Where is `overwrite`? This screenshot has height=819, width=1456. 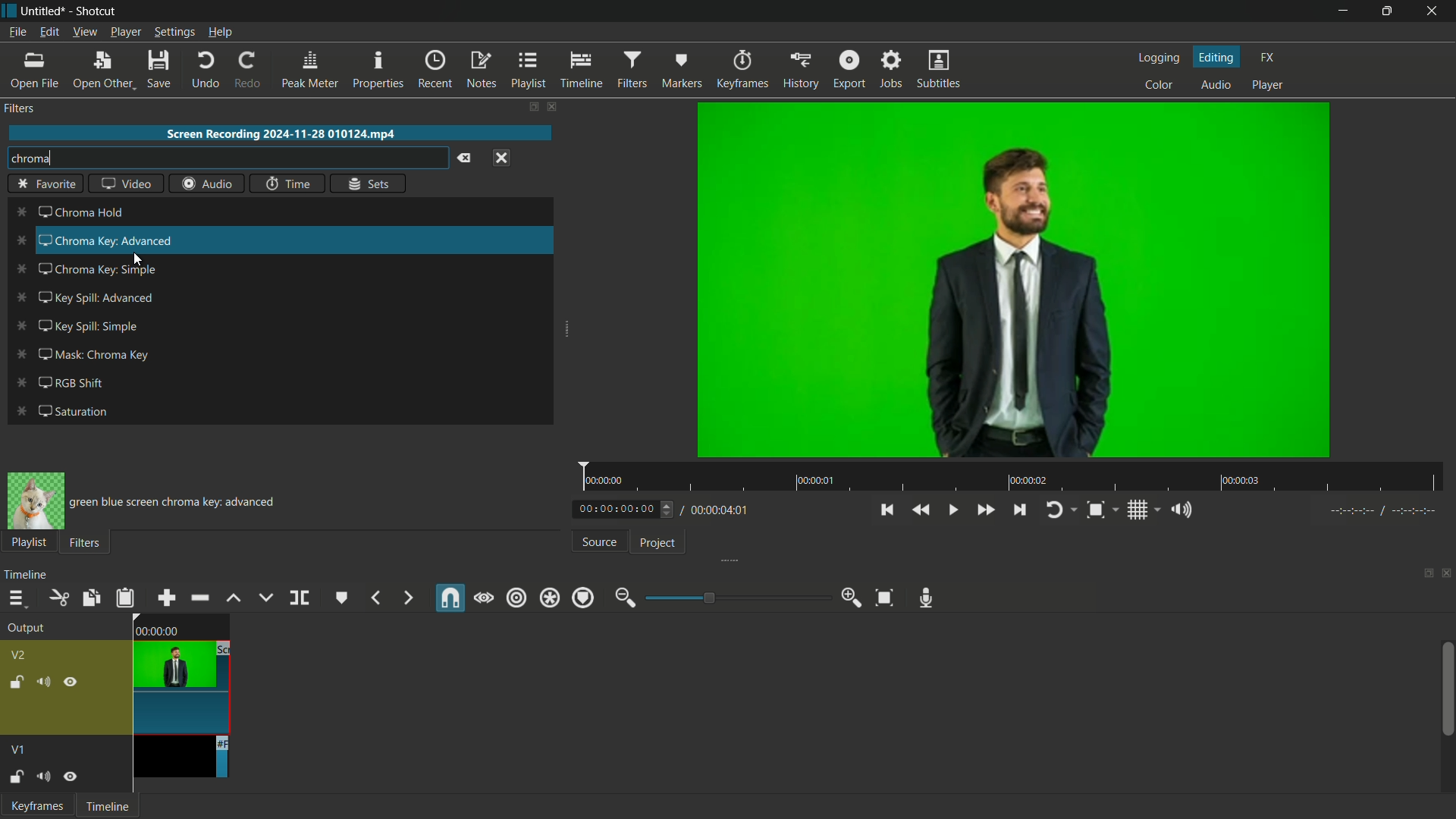 overwrite is located at coordinates (265, 598).